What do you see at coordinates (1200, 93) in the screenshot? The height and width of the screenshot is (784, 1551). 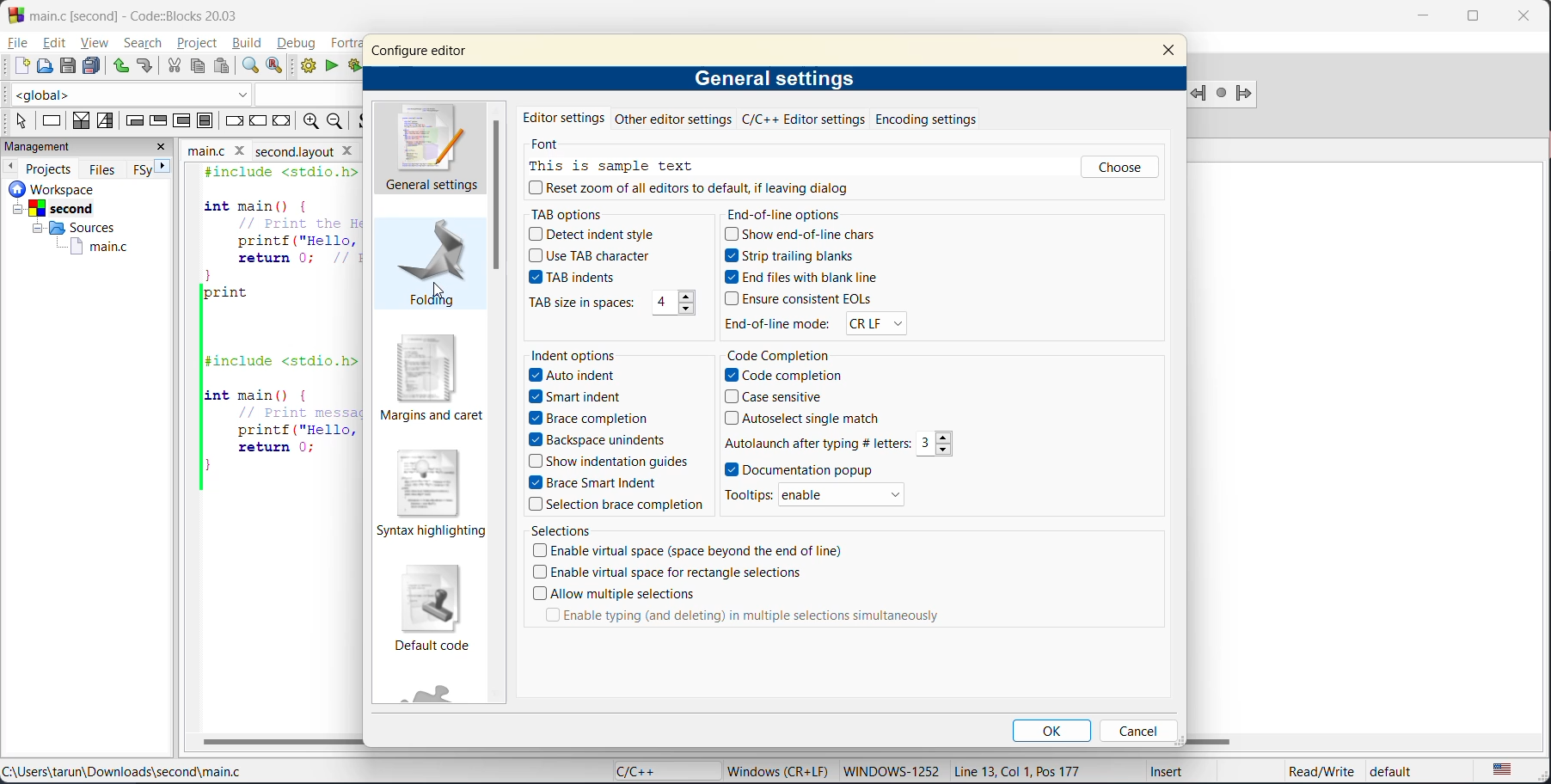 I see `jump backward` at bounding box center [1200, 93].